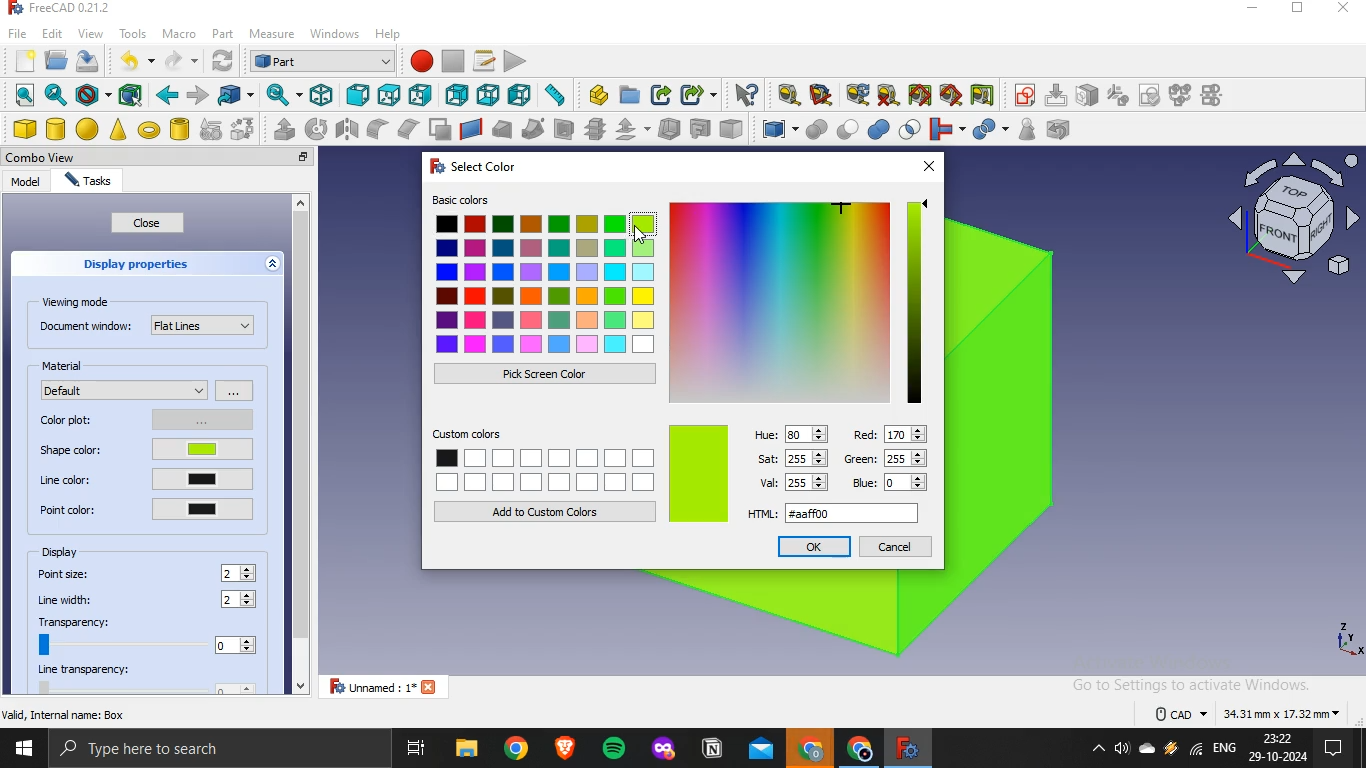  Describe the element at coordinates (24, 58) in the screenshot. I see `new file` at that location.